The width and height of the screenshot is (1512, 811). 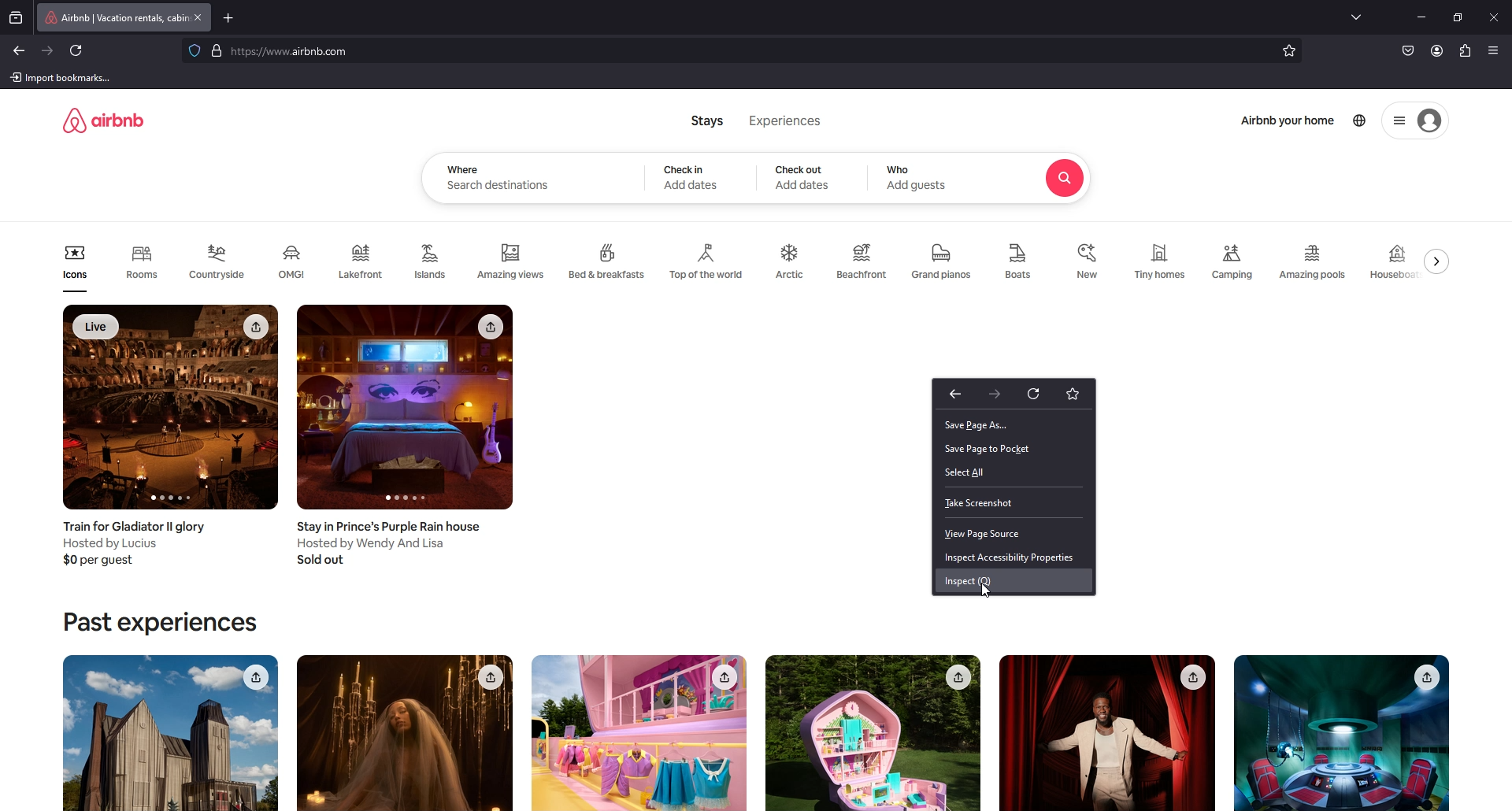 I want to click on favourites, so click(x=1290, y=52).